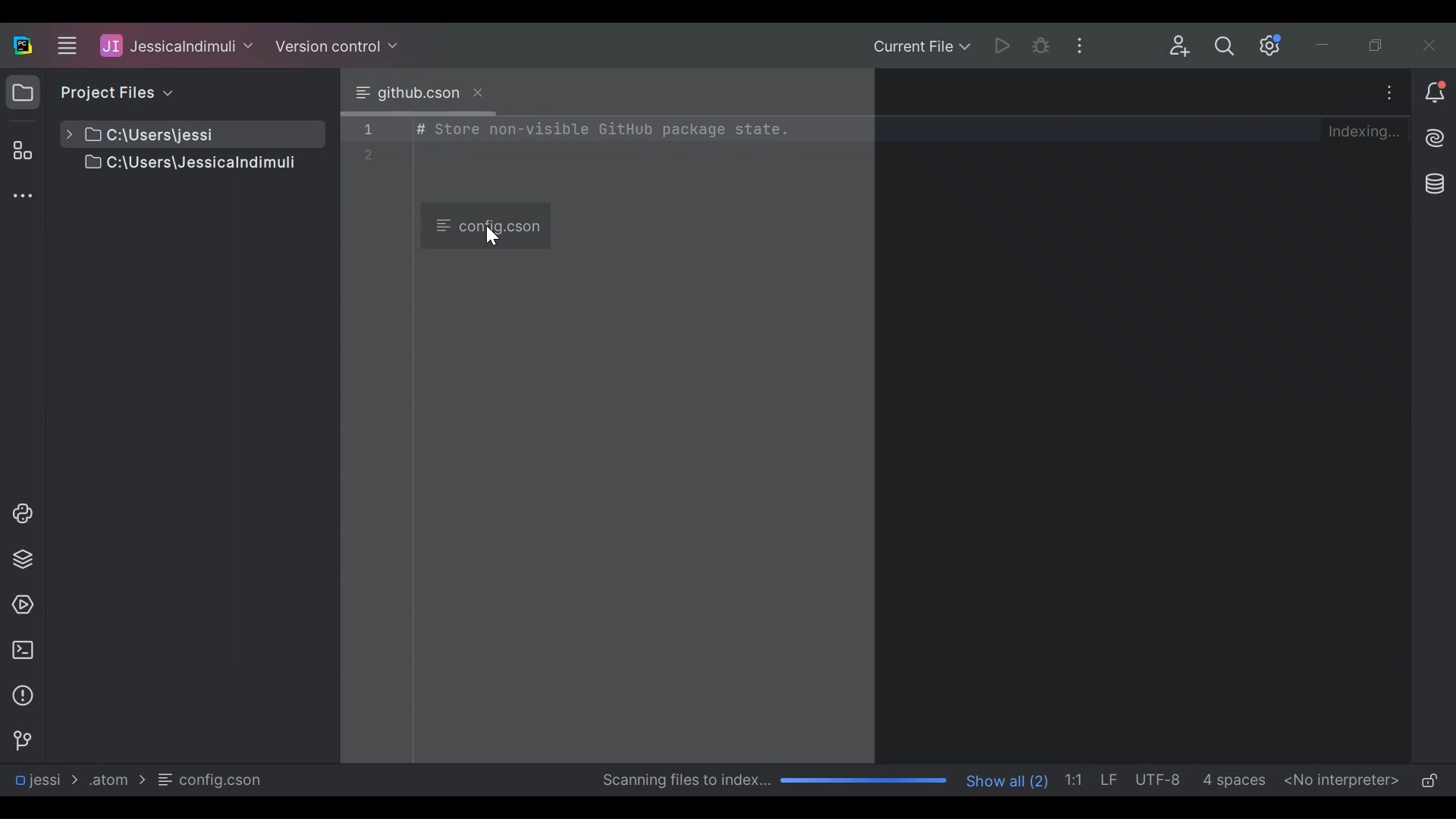 This screenshot has width=1456, height=819. I want to click on Current File, so click(921, 46).